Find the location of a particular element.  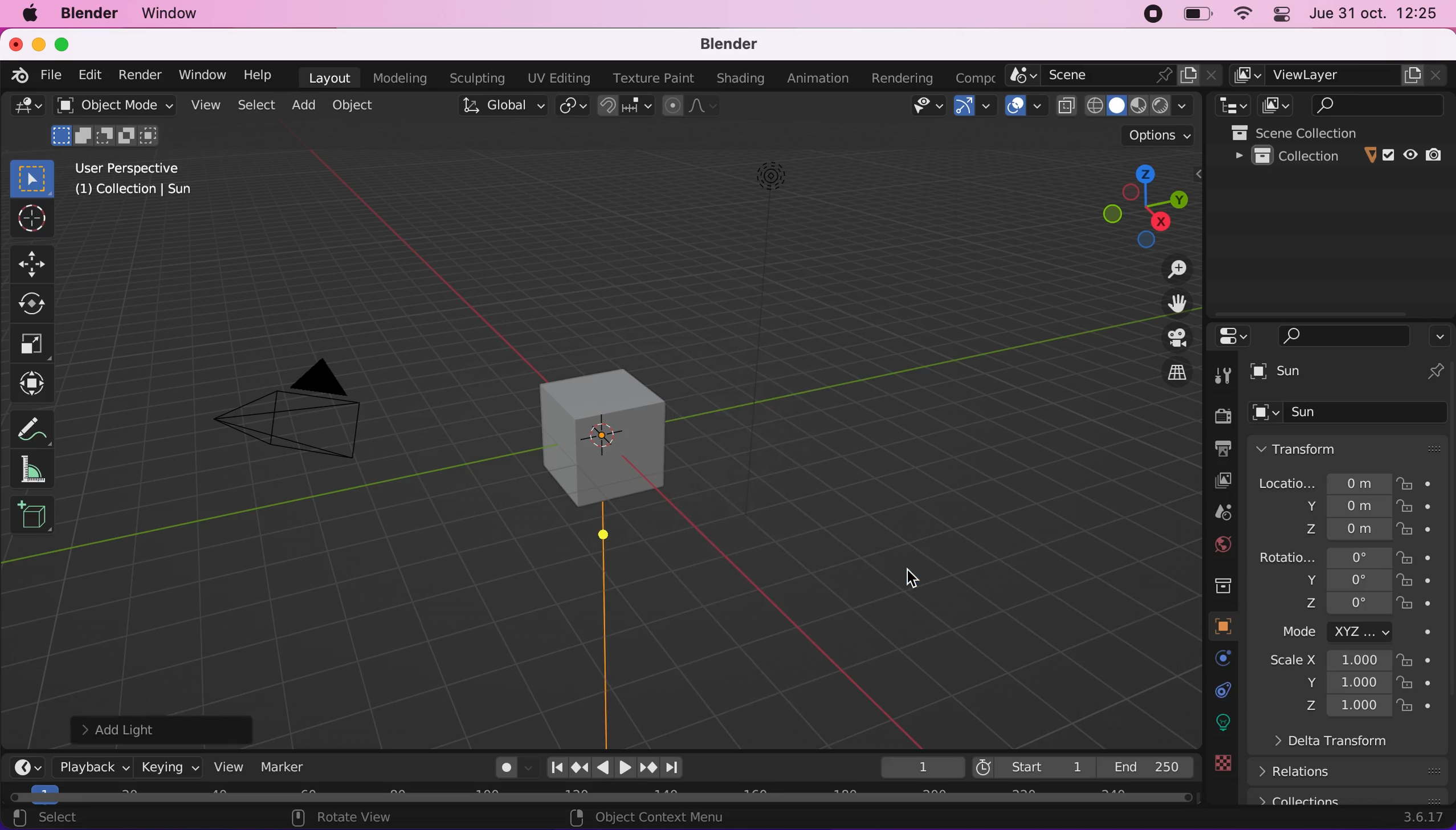

rotate is located at coordinates (35, 302).